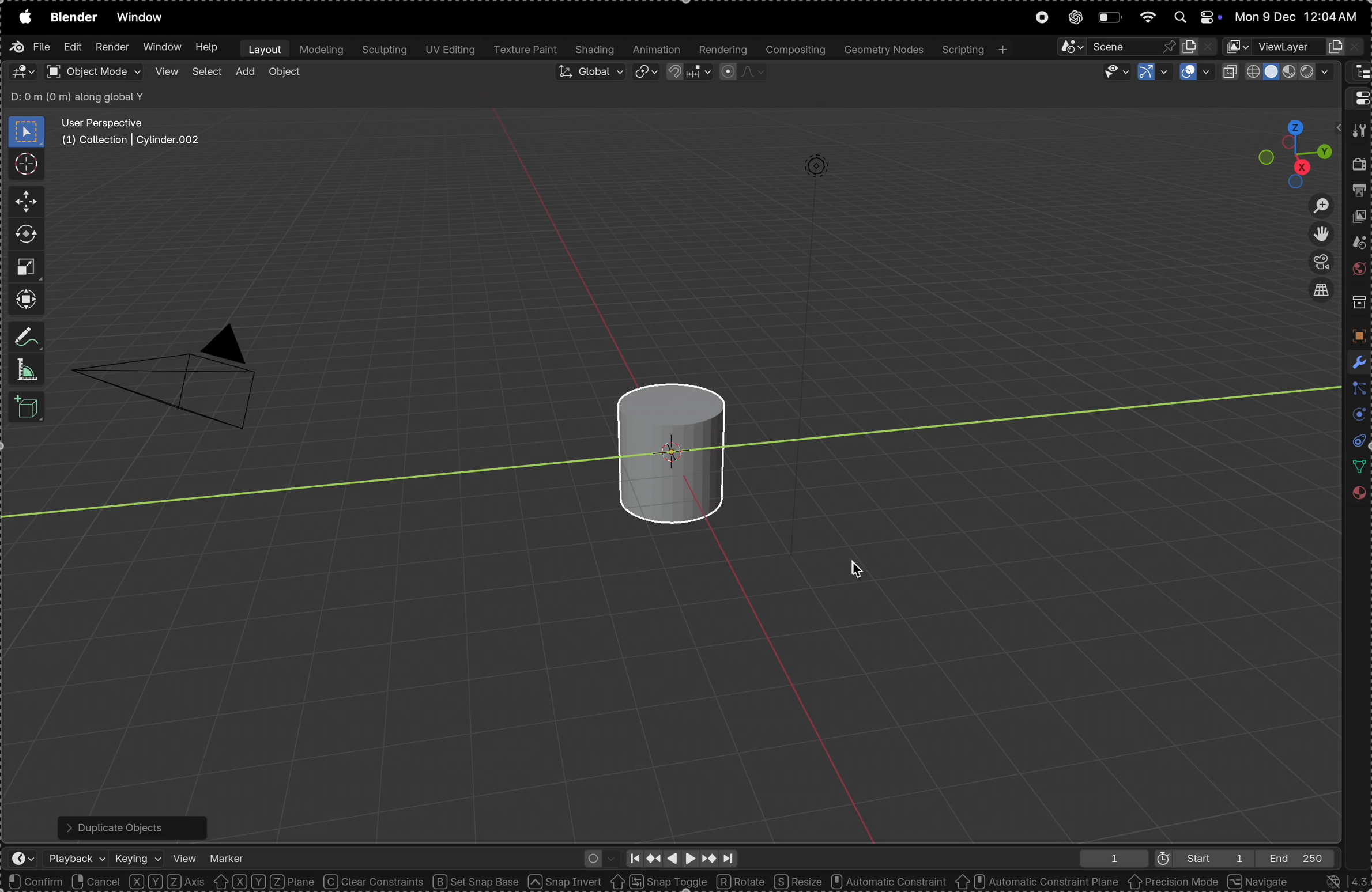 Image resolution: width=1372 pixels, height=892 pixels. Describe the element at coordinates (1358, 497) in the screenshot. I see `material` at that location.